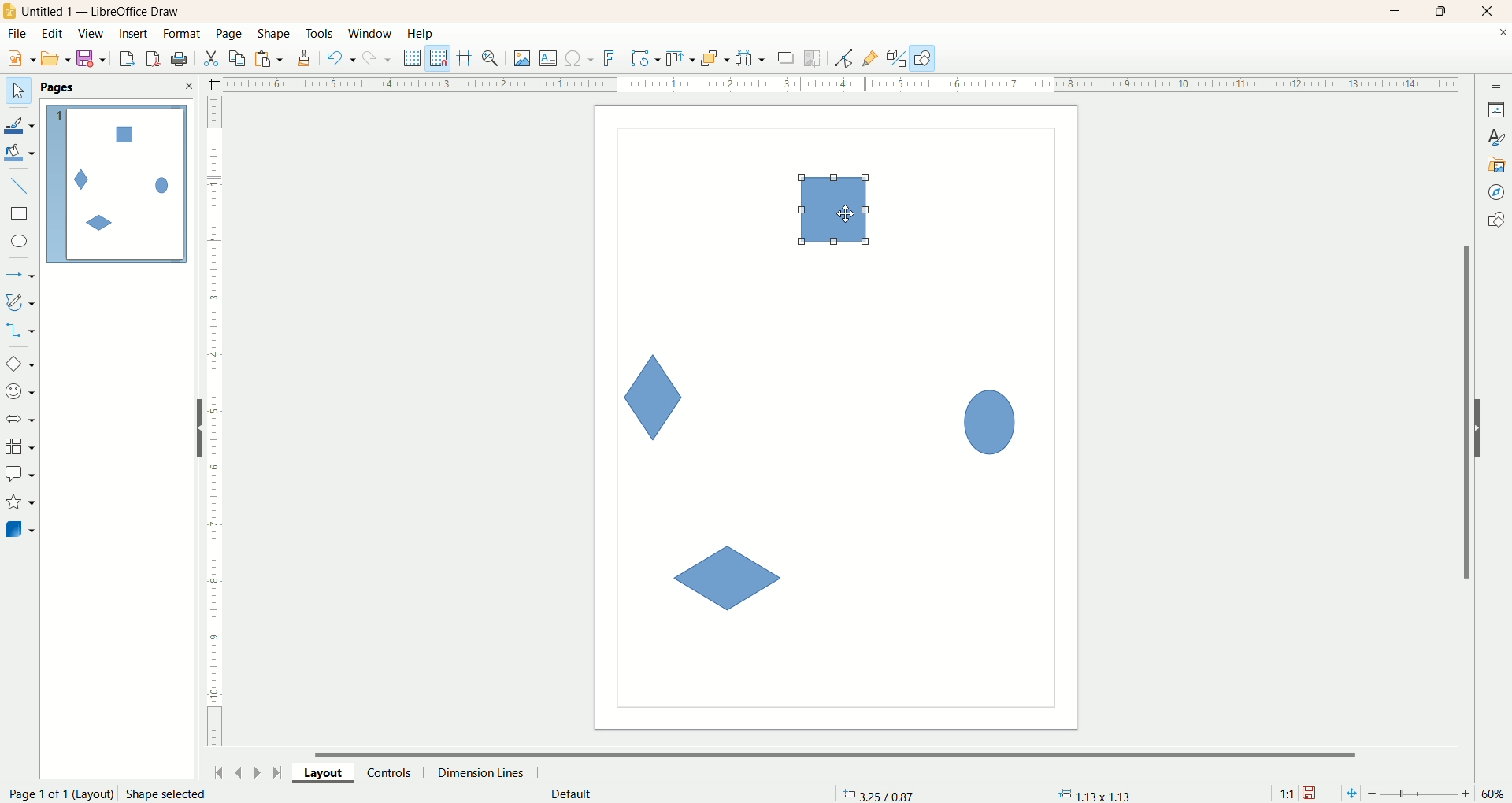 The height and width of the screenshot is (803, 1512). Describe the element at coordinates (1495, 794) in the screenshot. I see `zoom percent` at that location.